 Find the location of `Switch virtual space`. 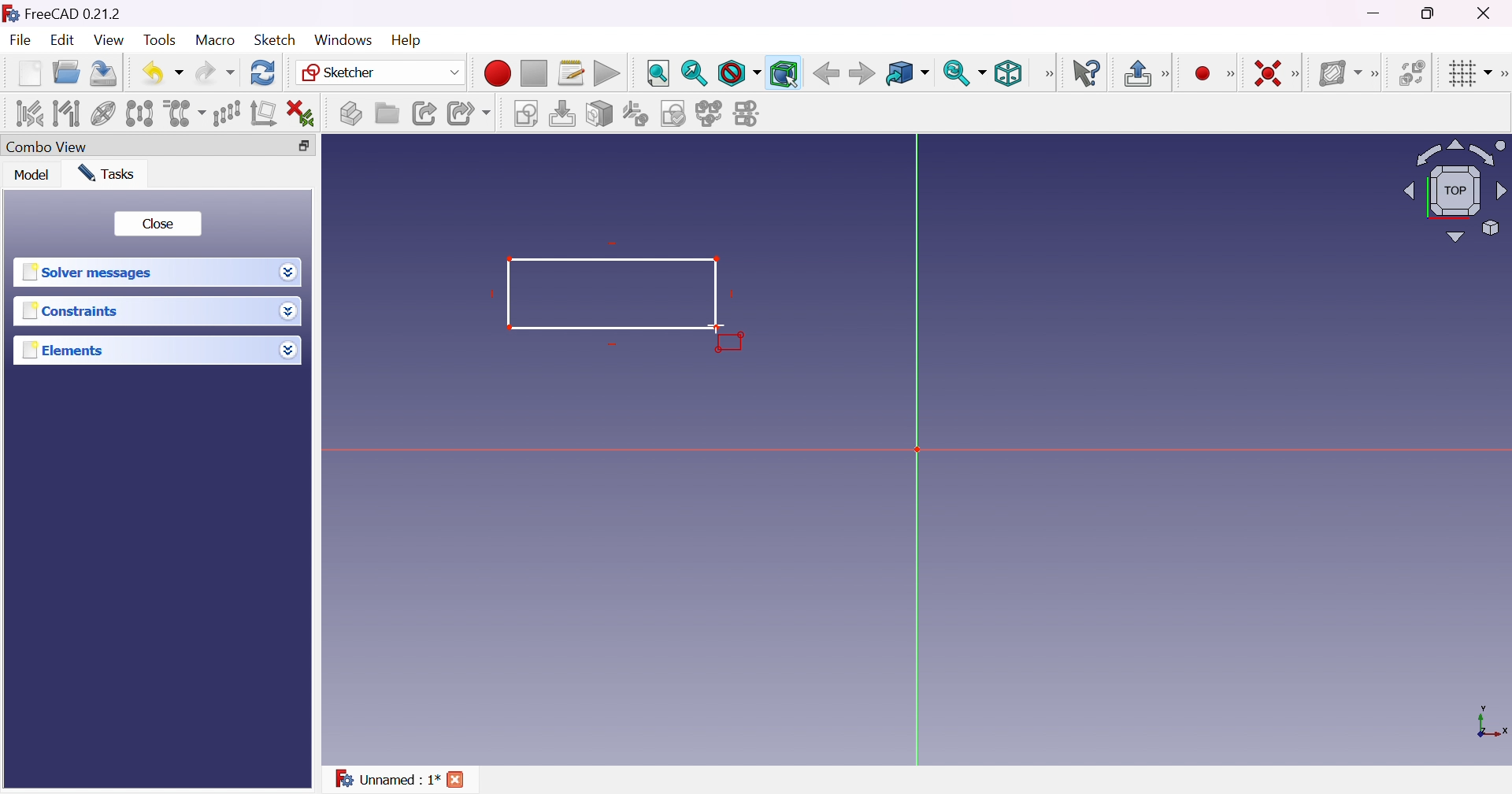

Switch virtual space is located at coordinates (1412, 74).